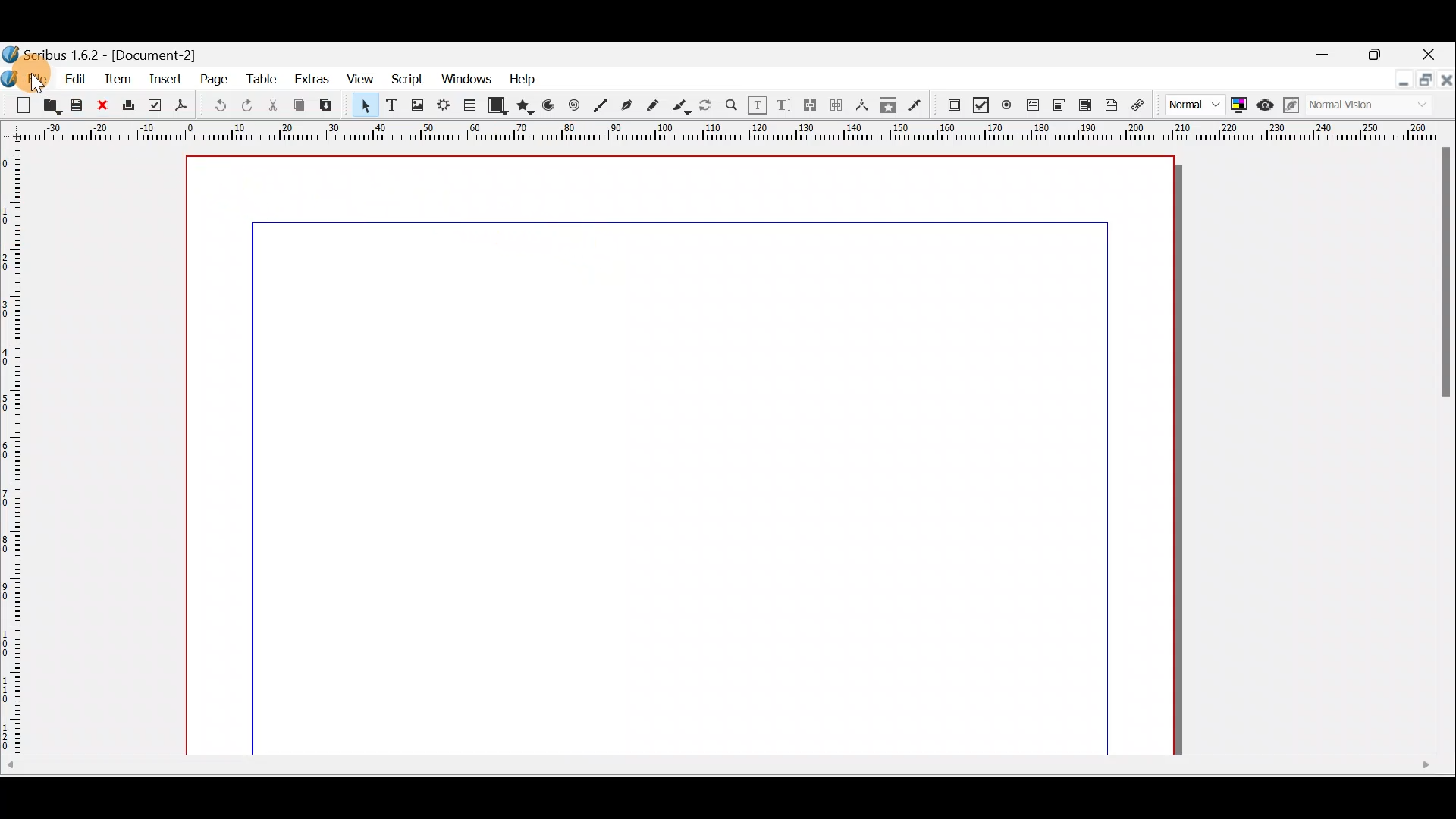  What do you see at coordinates (152, 105) in the screenshot?
I see `Preflight verifier` at bounding box center [152, 105].